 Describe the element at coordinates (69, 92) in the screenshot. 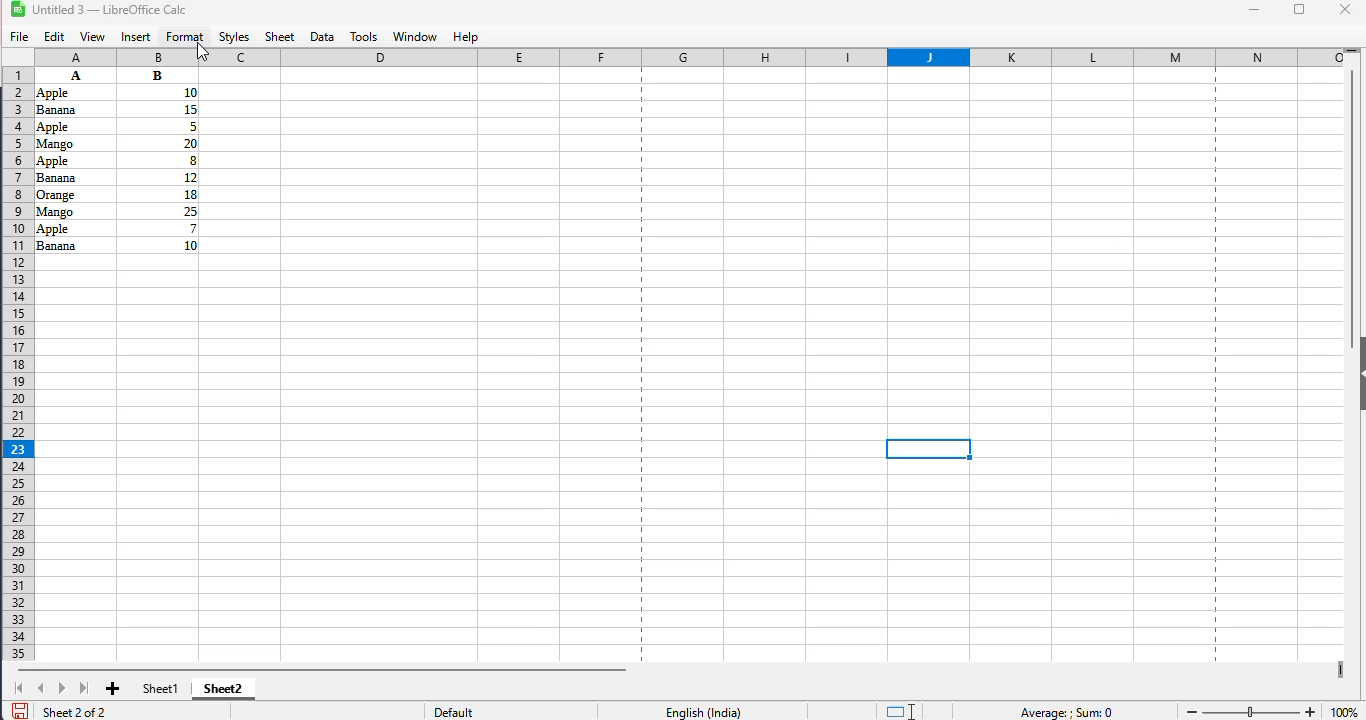

I see `` at that location.